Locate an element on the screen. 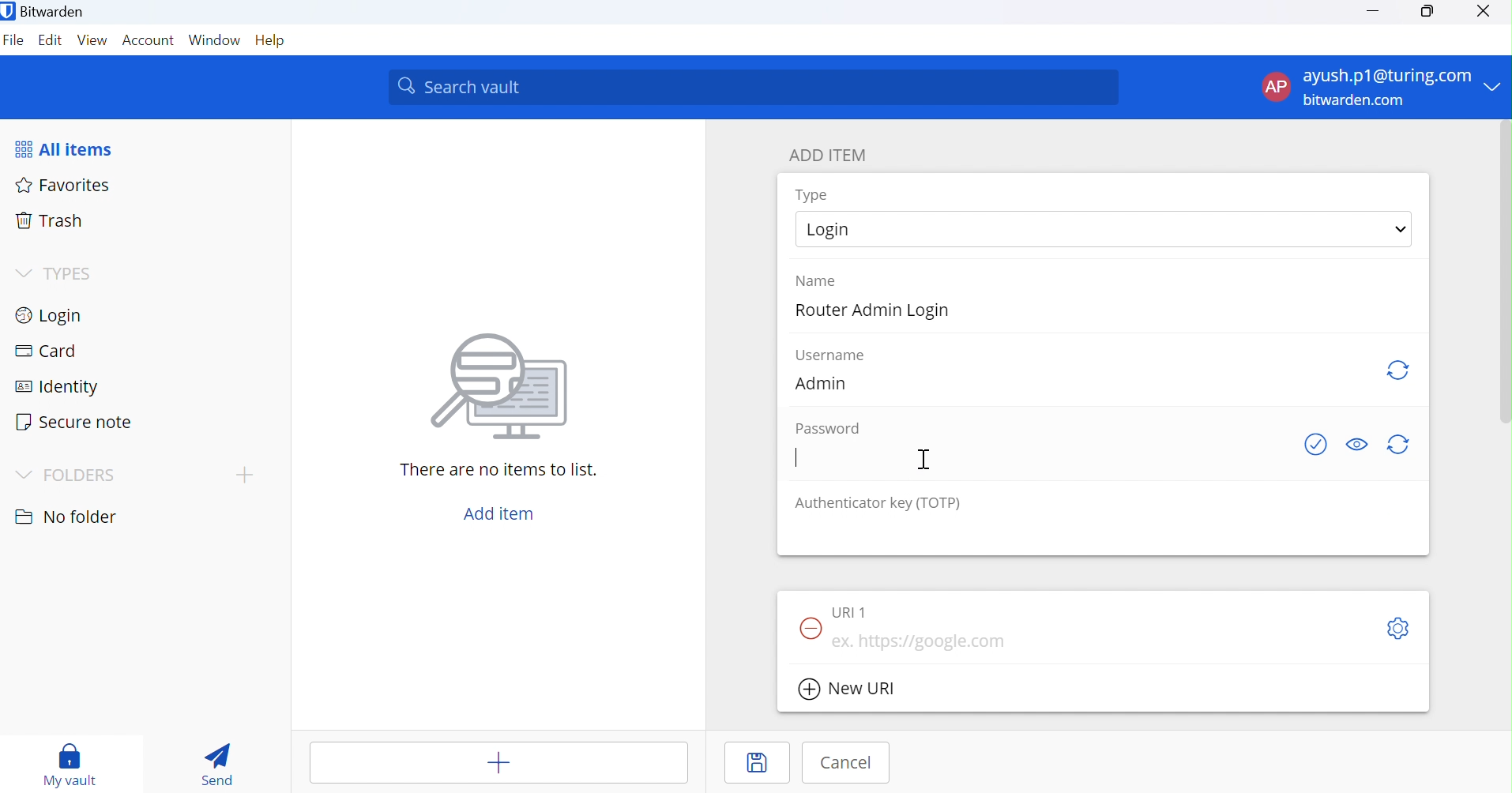  Search vaiut is located at coordinates (754, 88).